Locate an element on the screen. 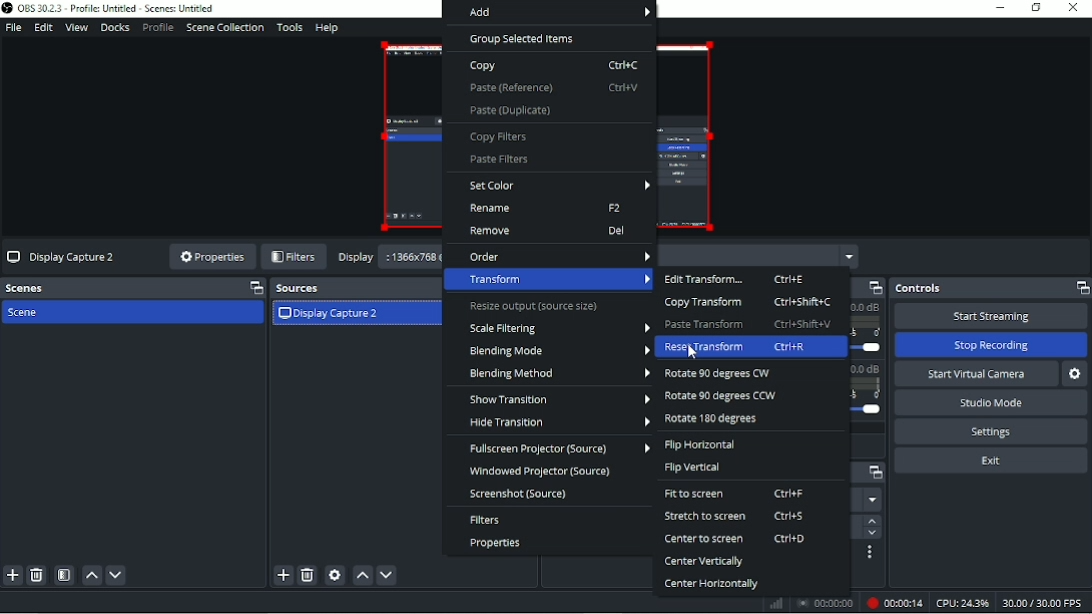  Reset transform is located at coordinates (736, 347).